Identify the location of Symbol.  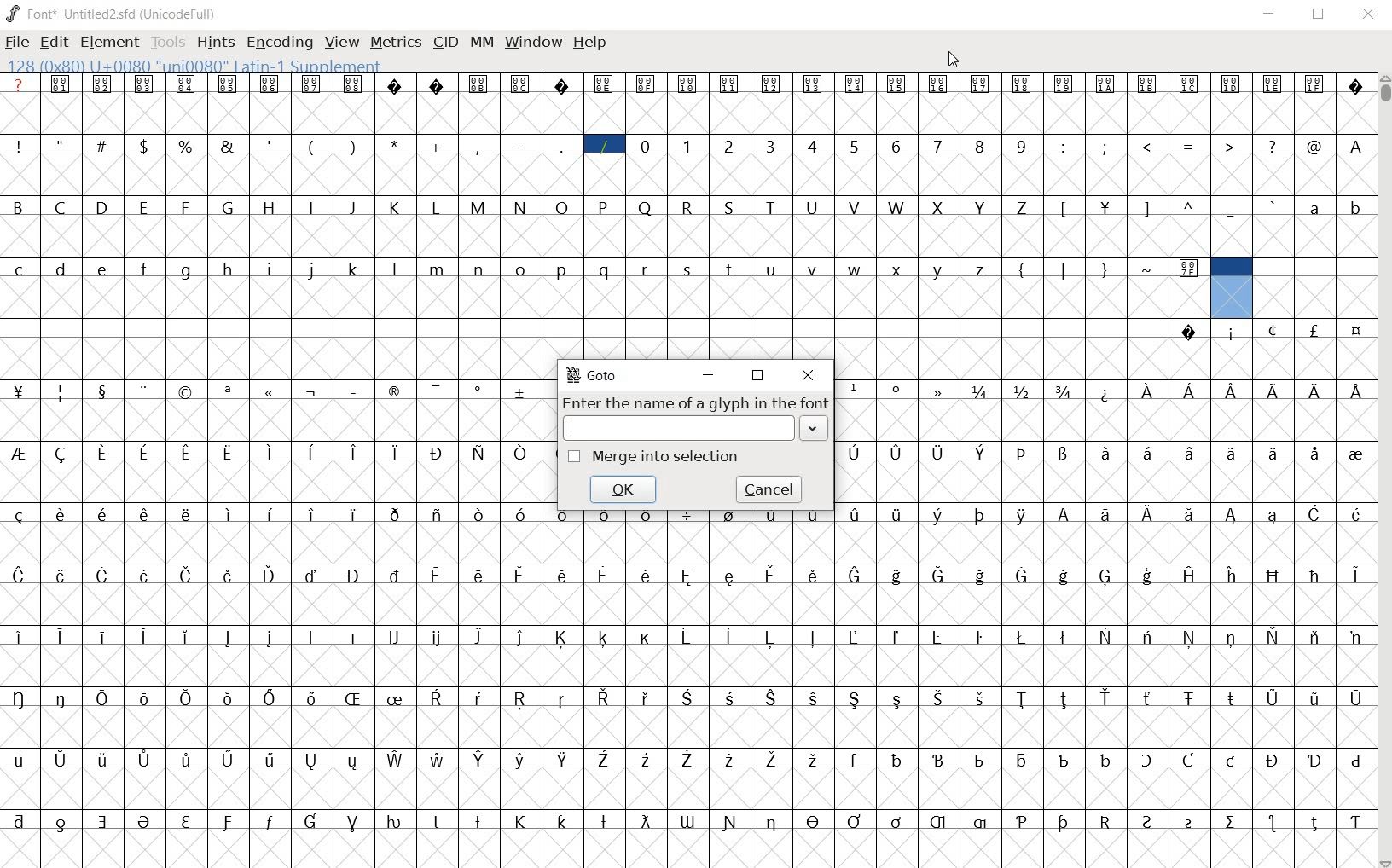
(20, 698).